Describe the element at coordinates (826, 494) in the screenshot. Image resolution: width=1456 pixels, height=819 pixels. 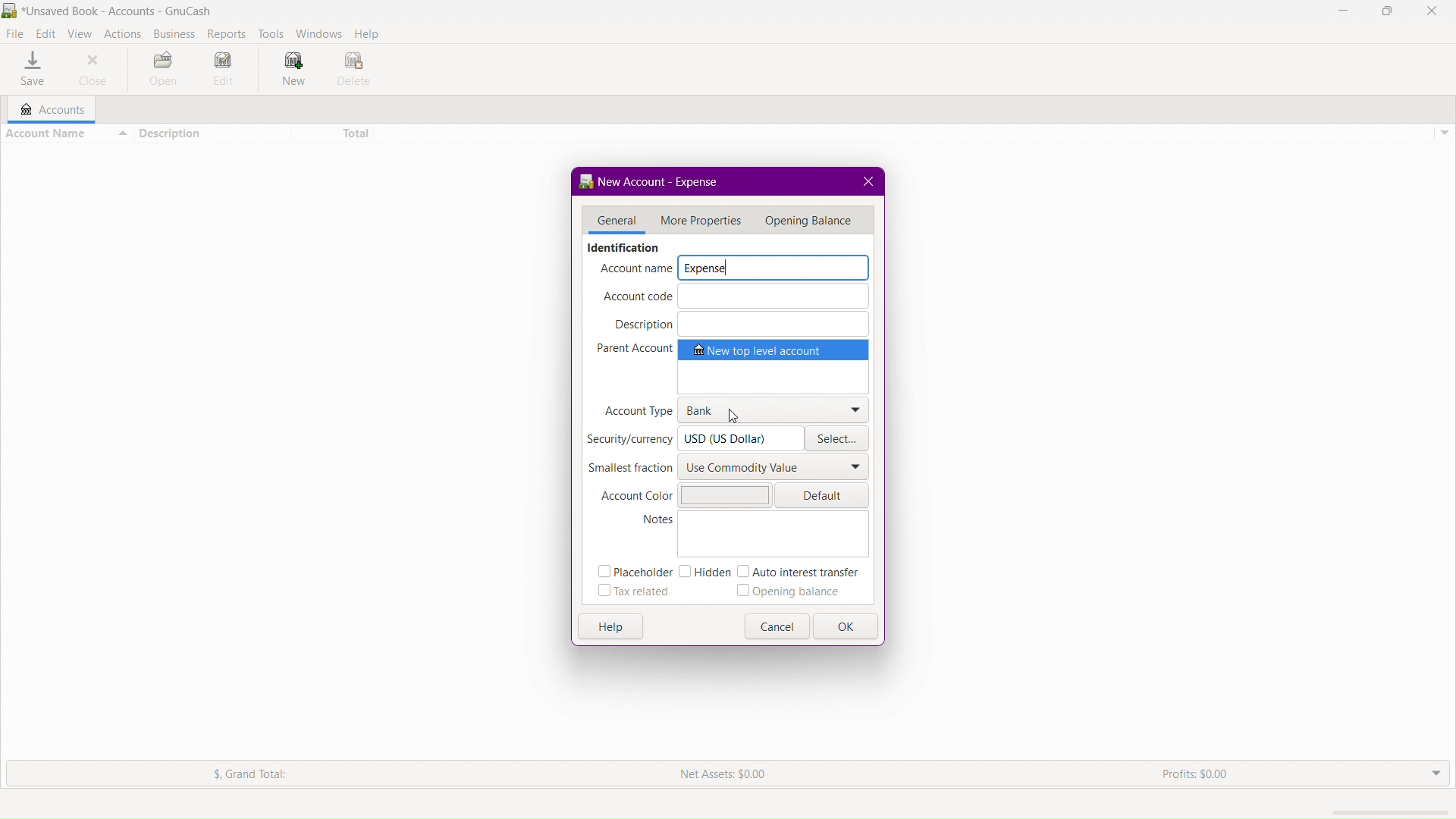
I see `Default` at that location.